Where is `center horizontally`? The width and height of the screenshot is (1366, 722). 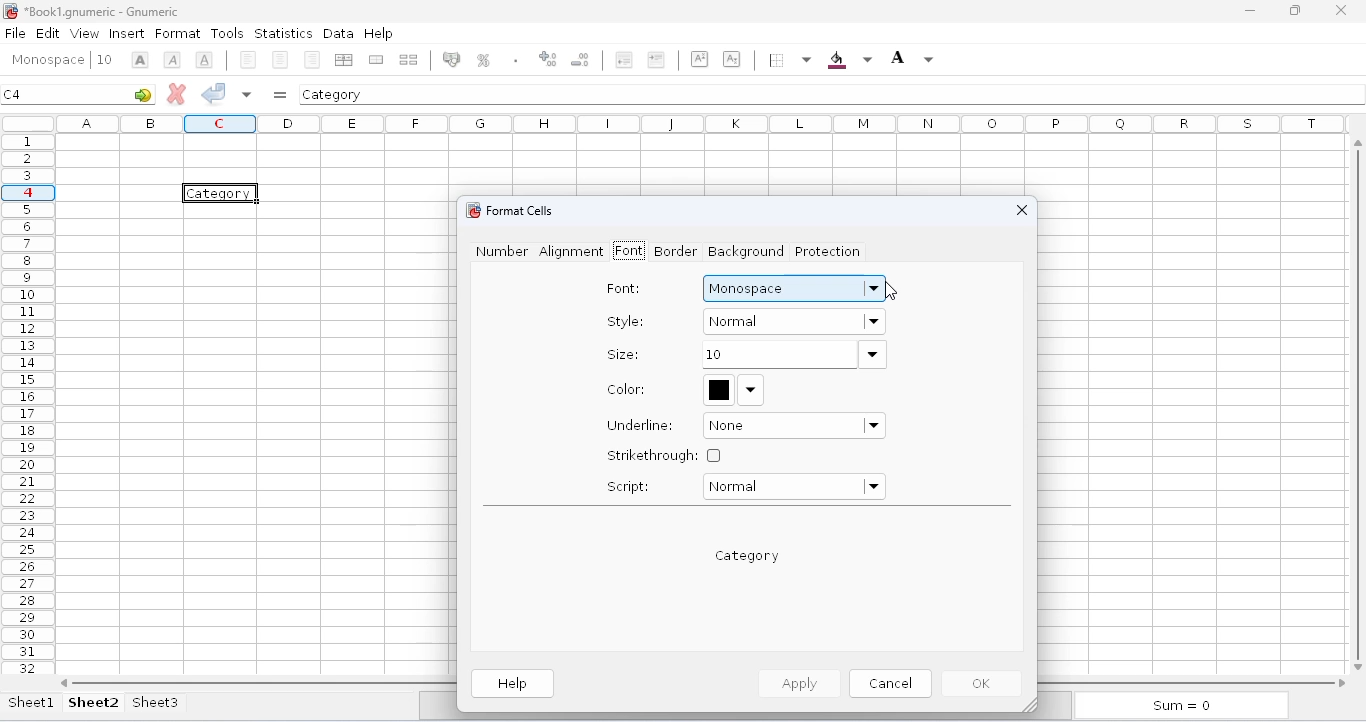 center horizontally is located at coordinates (281, 60).